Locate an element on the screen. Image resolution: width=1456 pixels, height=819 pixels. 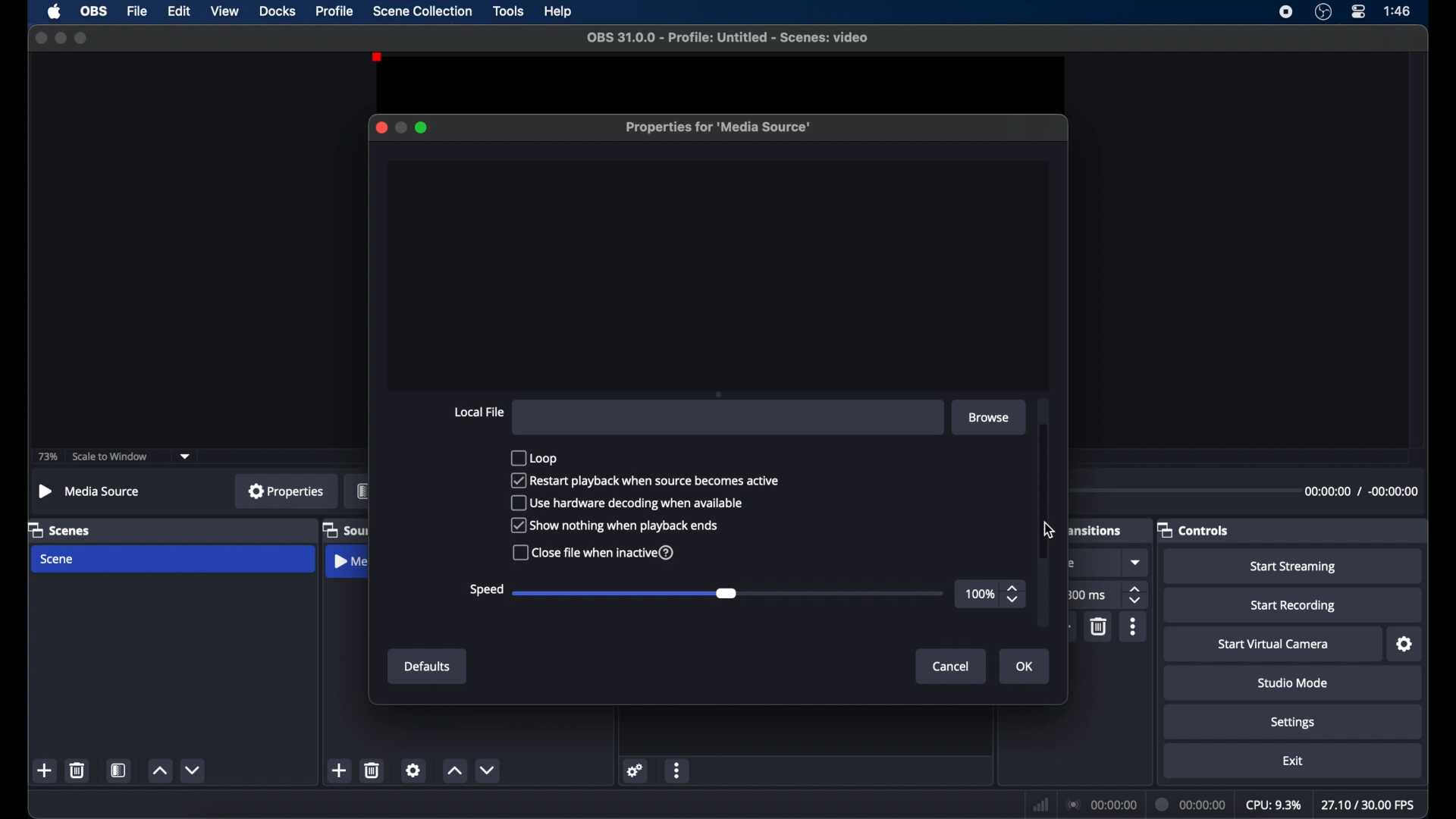
show nothing when playback ends is located at coordinates (616, 525).